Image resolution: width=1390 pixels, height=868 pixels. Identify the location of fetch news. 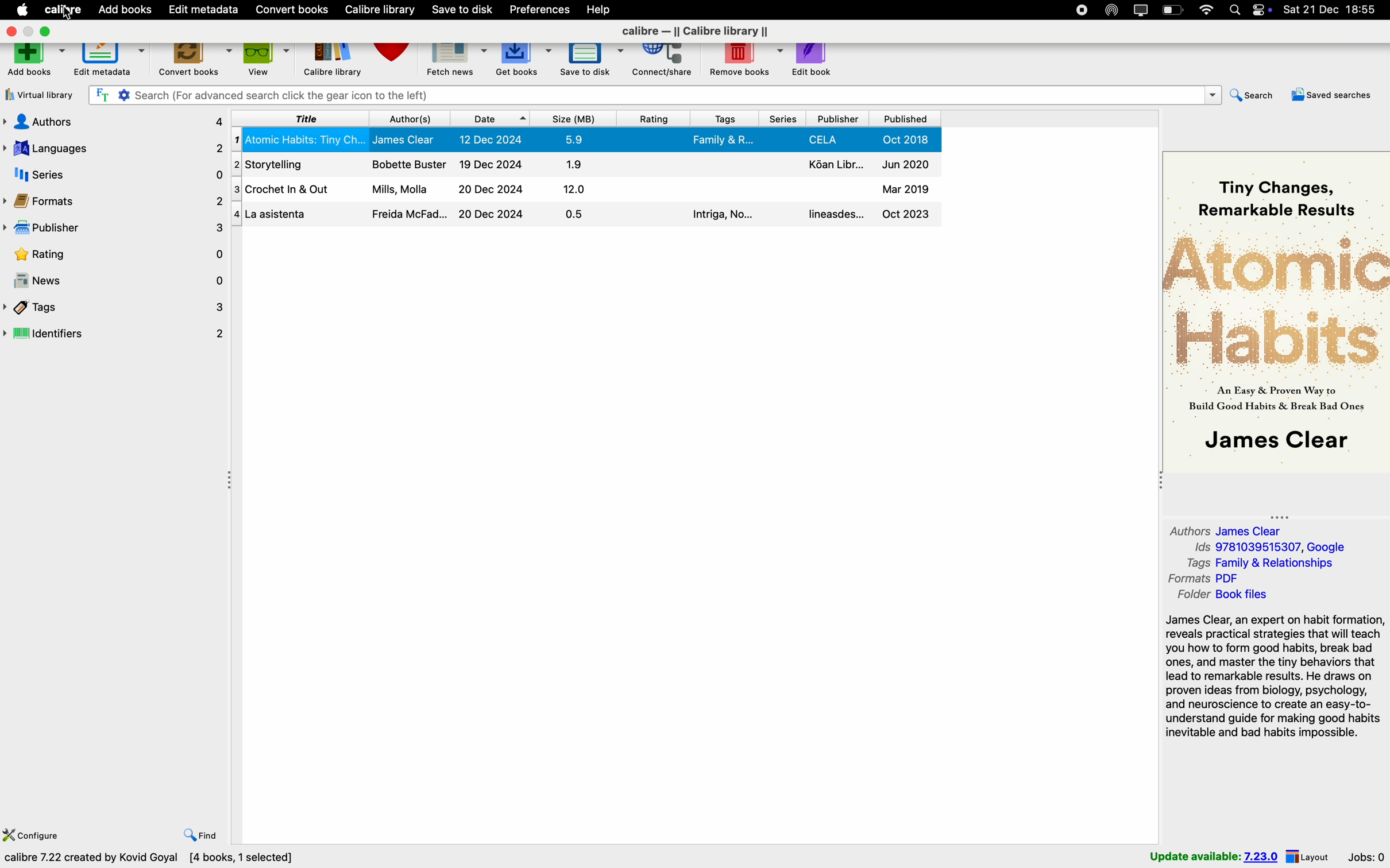
(458, 61).